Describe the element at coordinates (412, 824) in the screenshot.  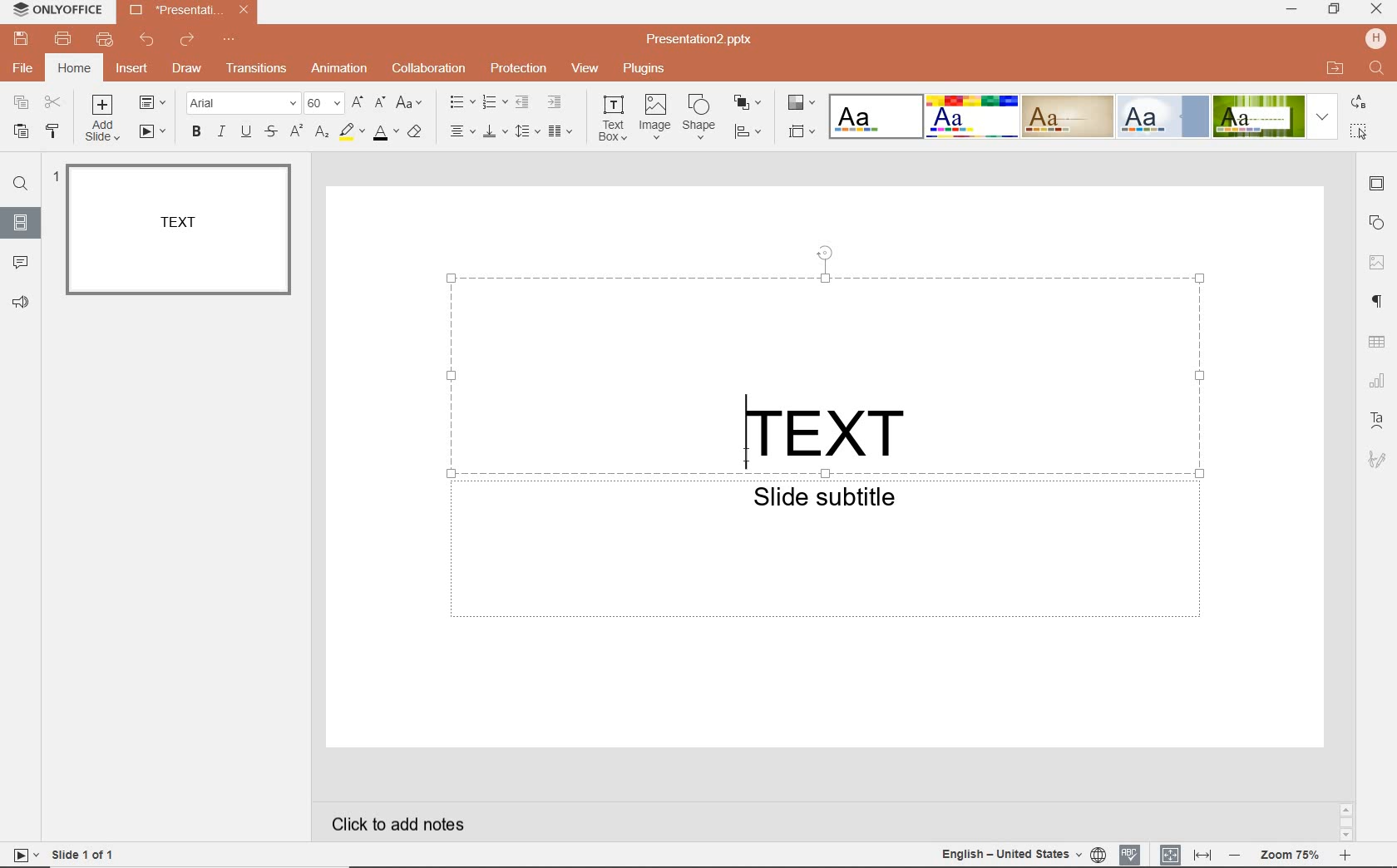
I see `CLICK TO ADD NOTES` at that location.